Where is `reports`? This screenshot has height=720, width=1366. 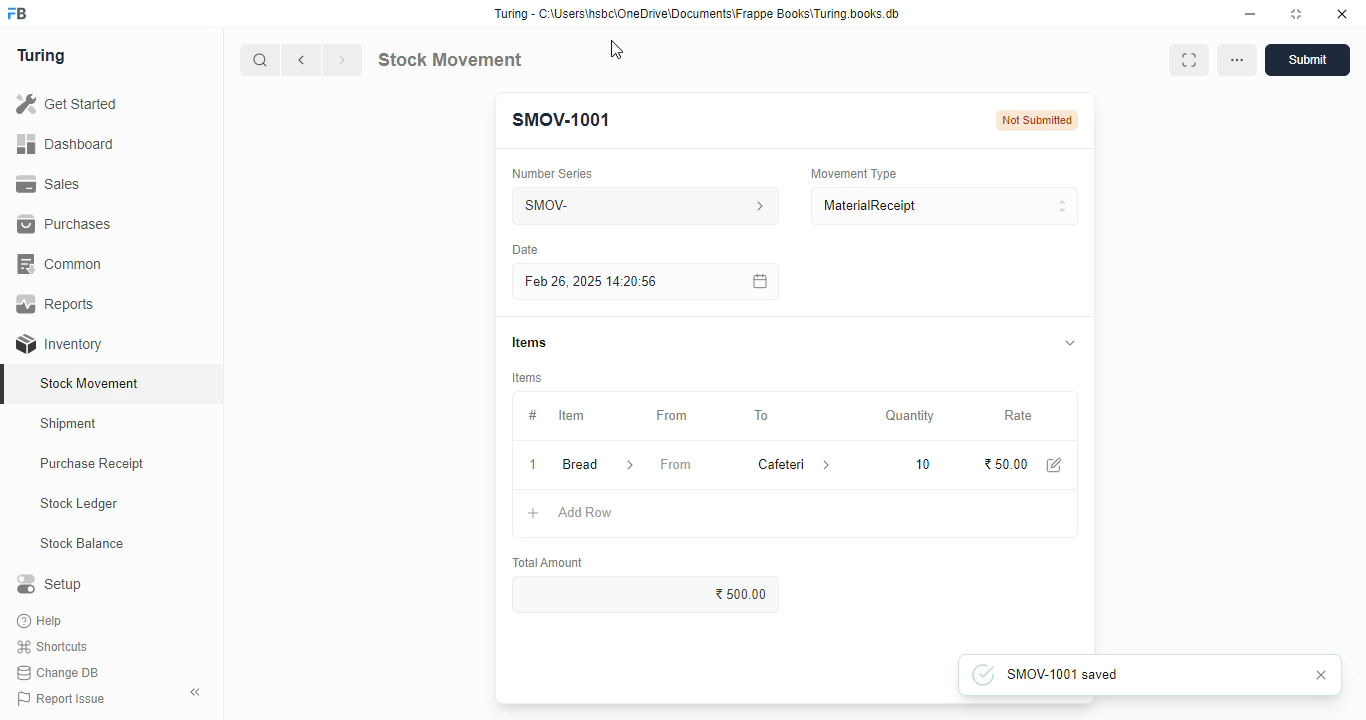 reports is located at coordinates (57, 303).